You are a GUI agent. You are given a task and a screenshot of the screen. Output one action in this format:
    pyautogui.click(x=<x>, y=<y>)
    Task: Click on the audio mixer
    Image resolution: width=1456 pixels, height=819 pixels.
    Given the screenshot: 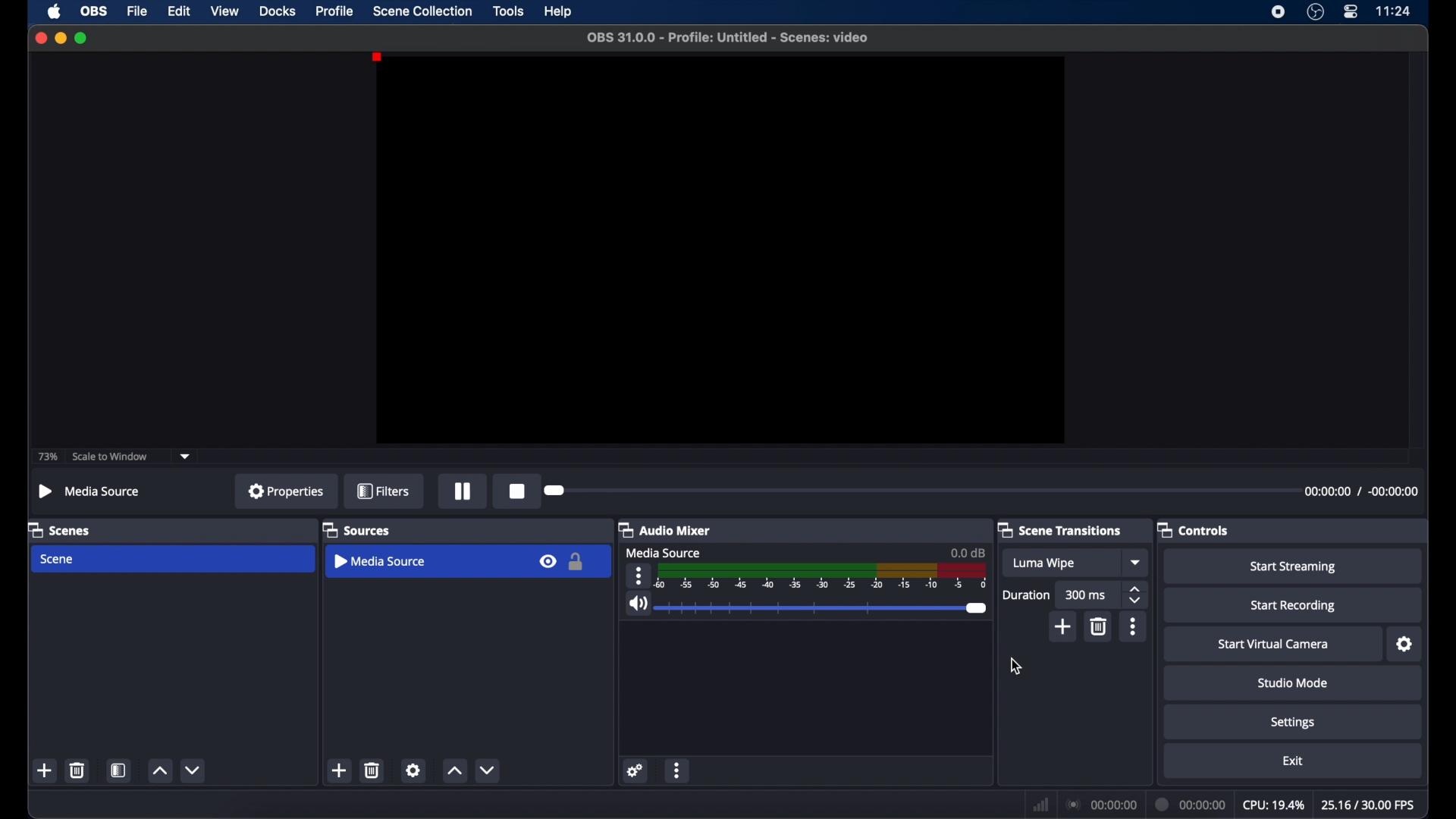 What is the action you would take?
    pyautogui.click(x=664, y=529)
    